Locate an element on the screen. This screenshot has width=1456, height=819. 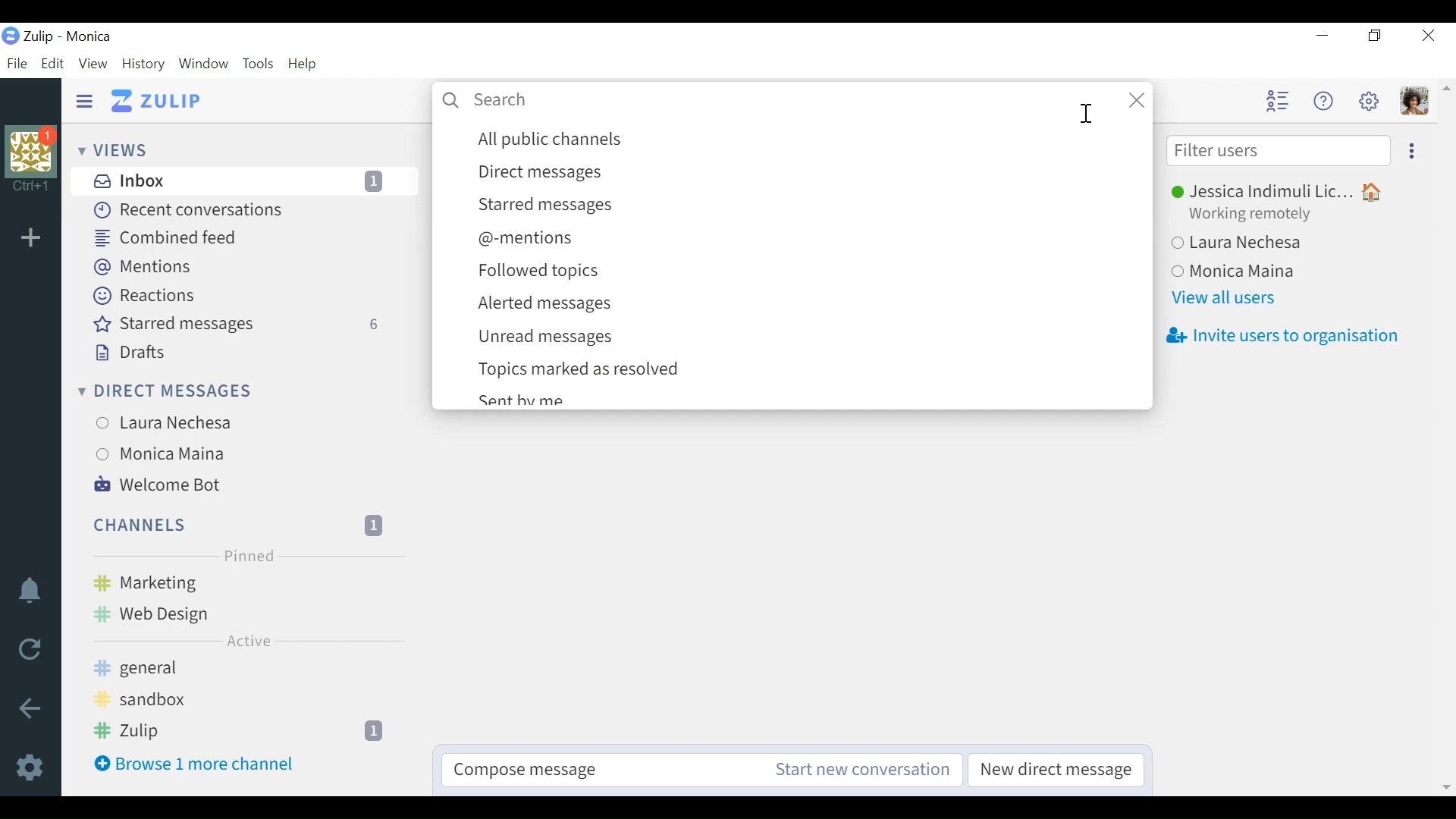
Channels is located at coordinates (240, 526).